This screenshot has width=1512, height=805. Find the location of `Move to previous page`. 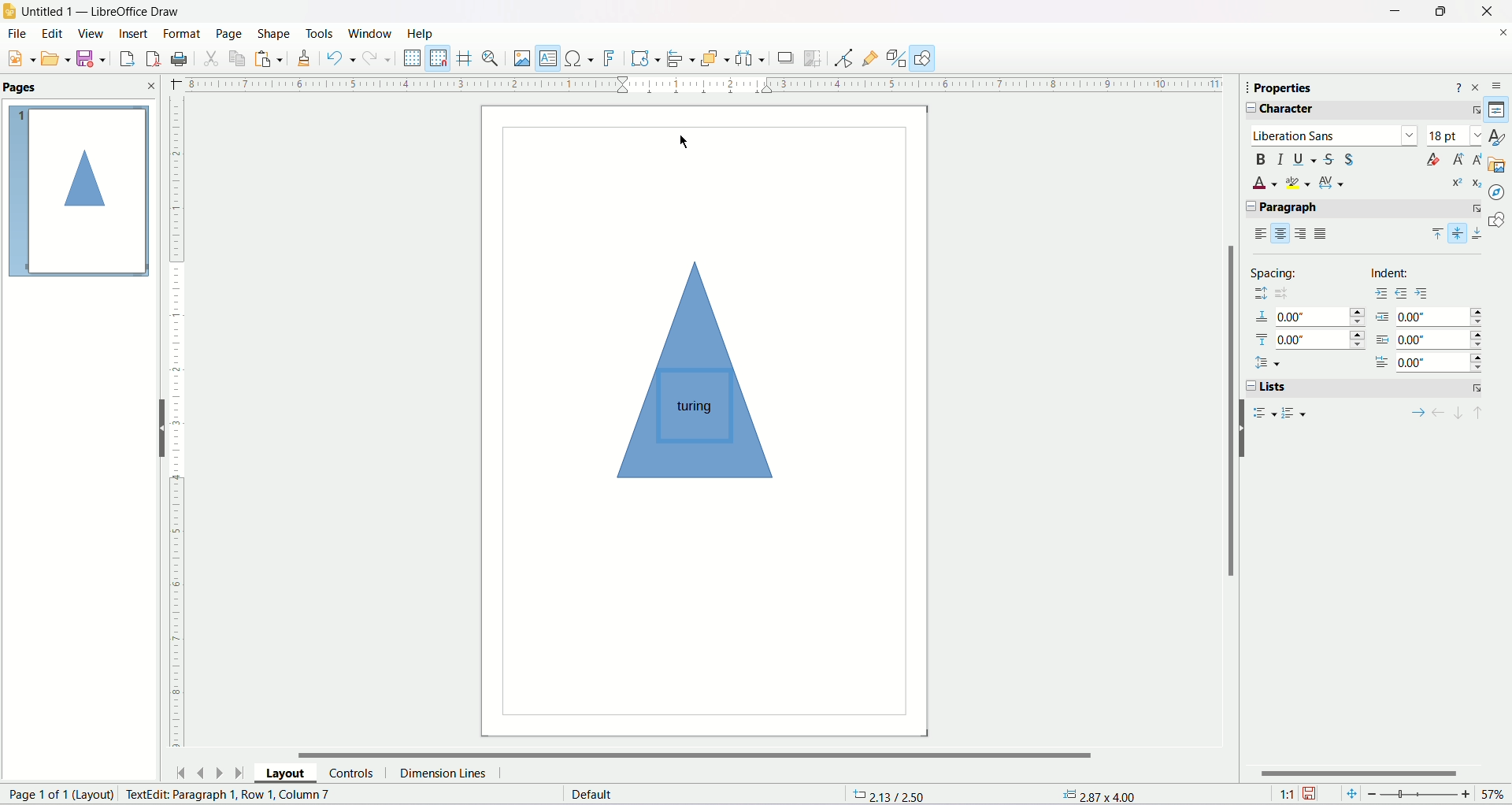

Move to previous page is located at coordinates (204, 772).